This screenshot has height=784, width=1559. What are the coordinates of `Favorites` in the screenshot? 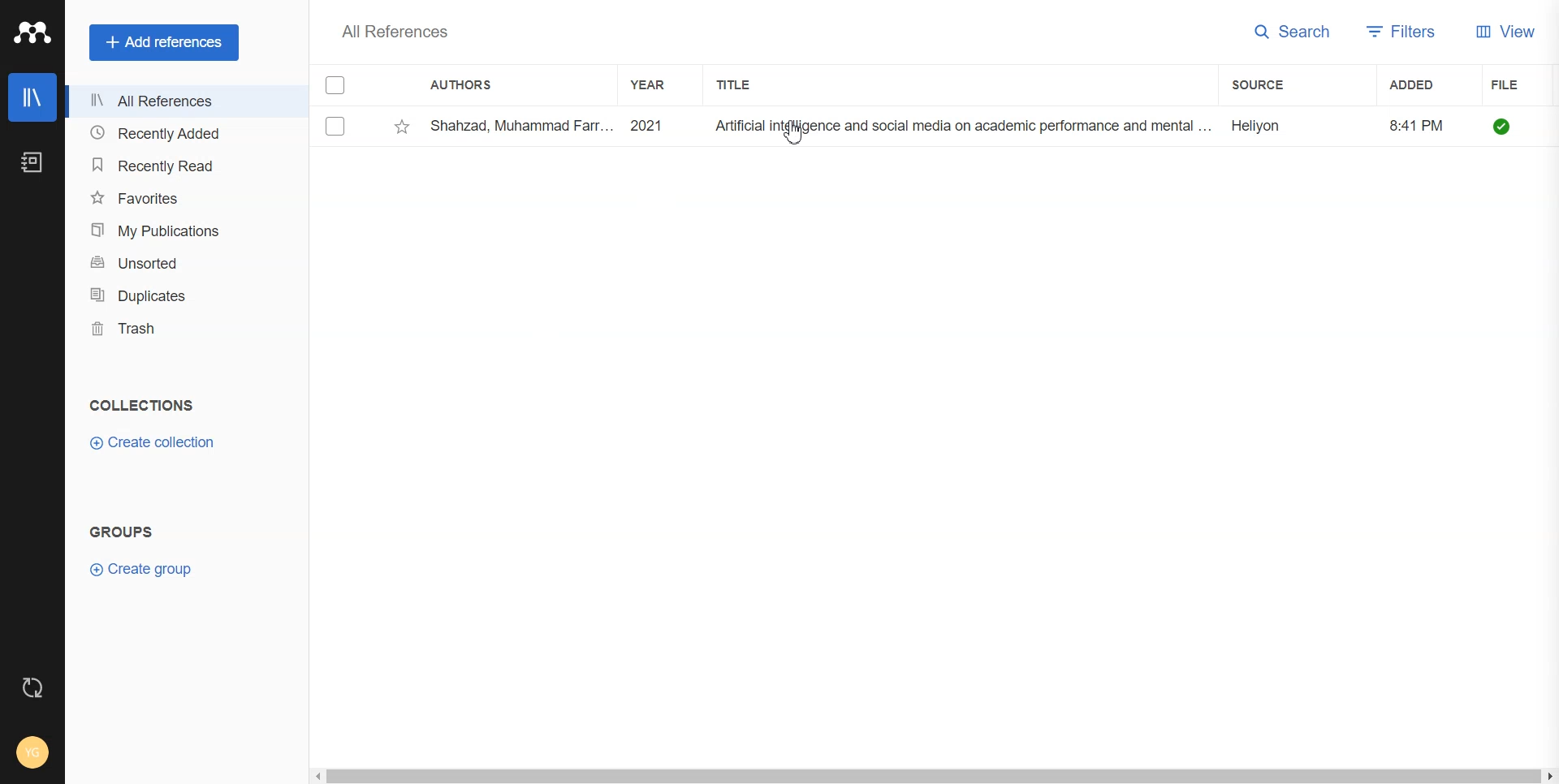 It's located at (183, 196).